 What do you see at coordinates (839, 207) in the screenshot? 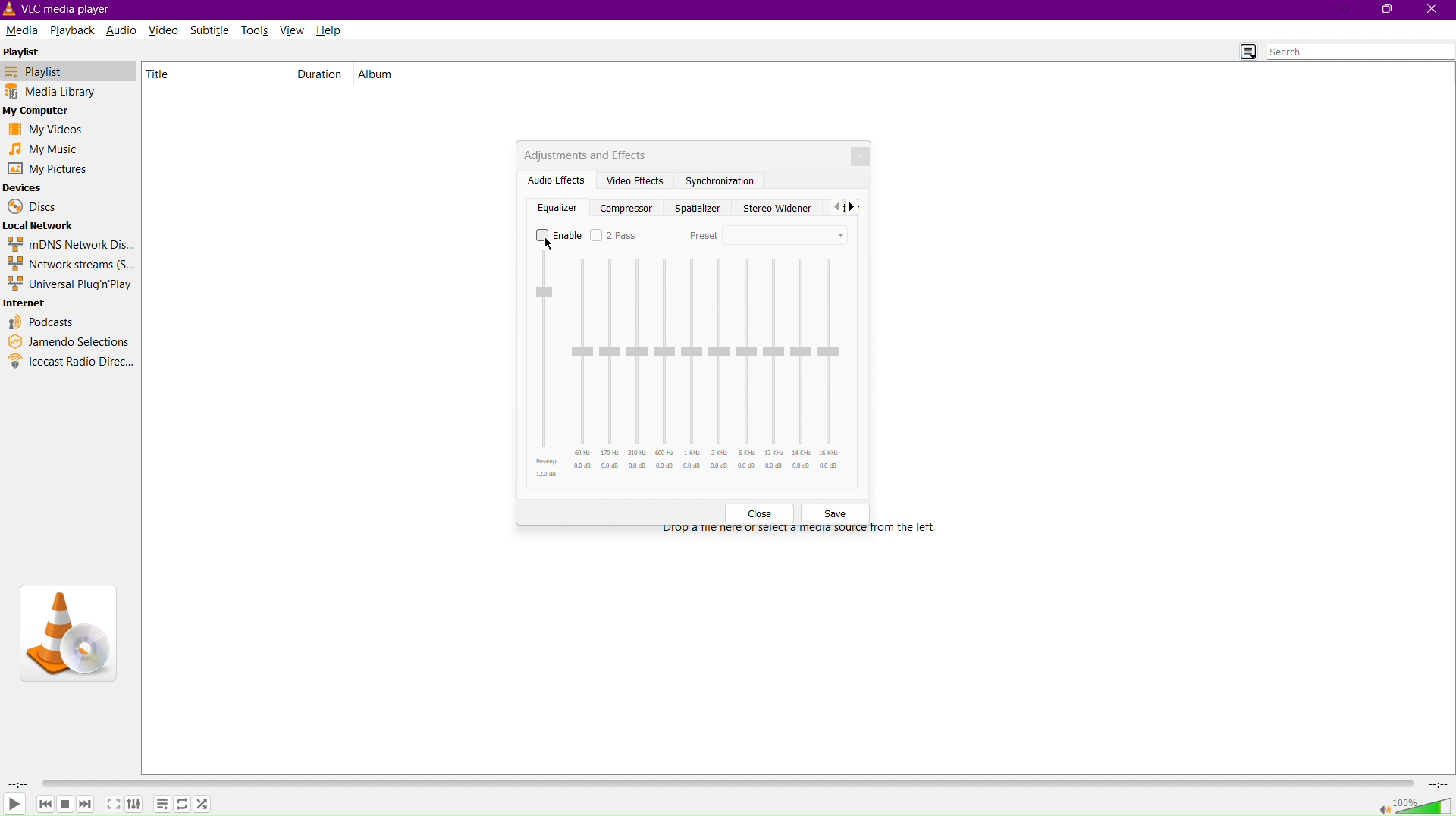
I see `Back` at bounding box center [839, 207].